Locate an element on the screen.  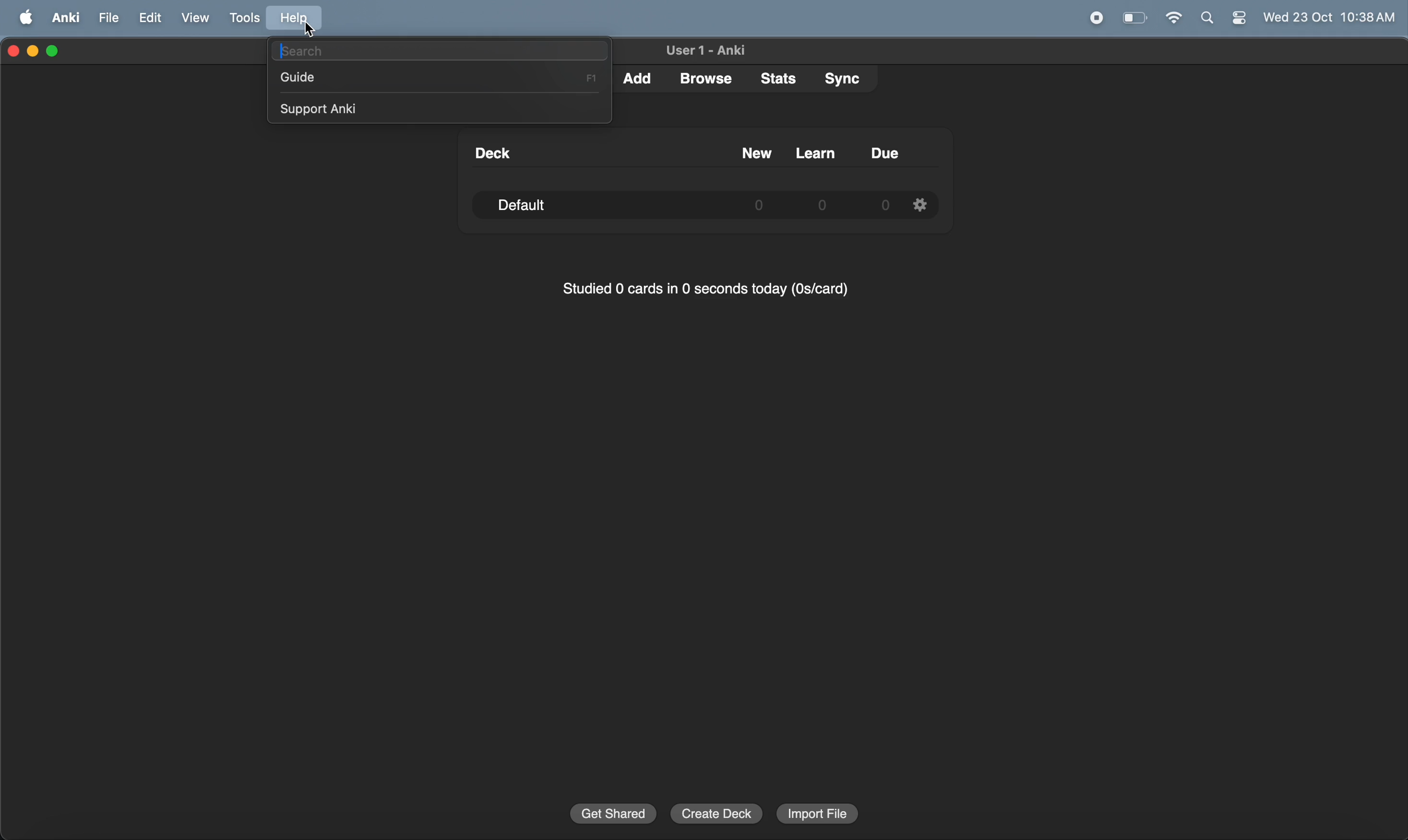
sync is located at coordinates (839, 79).